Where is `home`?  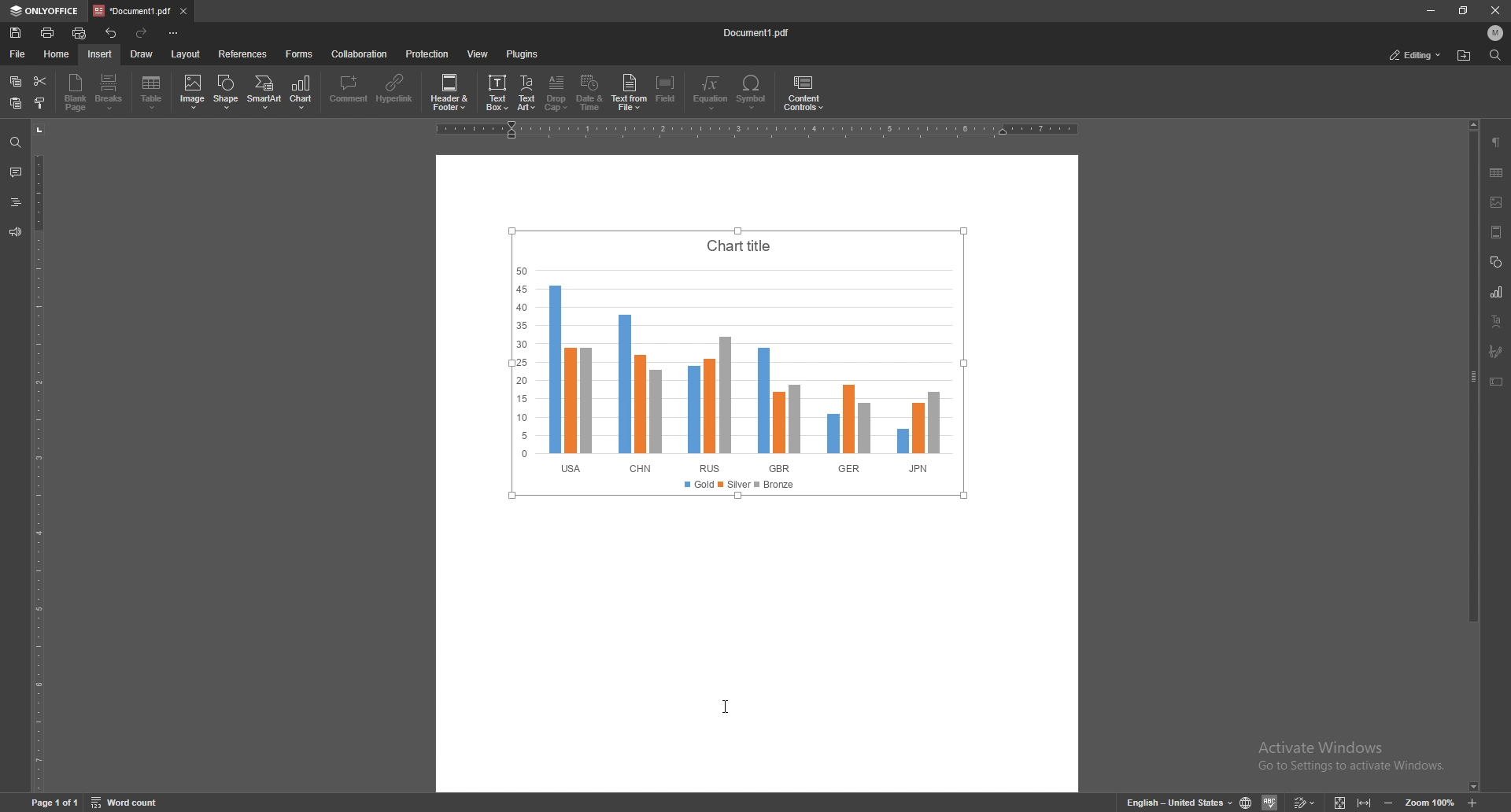 home is located at coordinates (57, 54).